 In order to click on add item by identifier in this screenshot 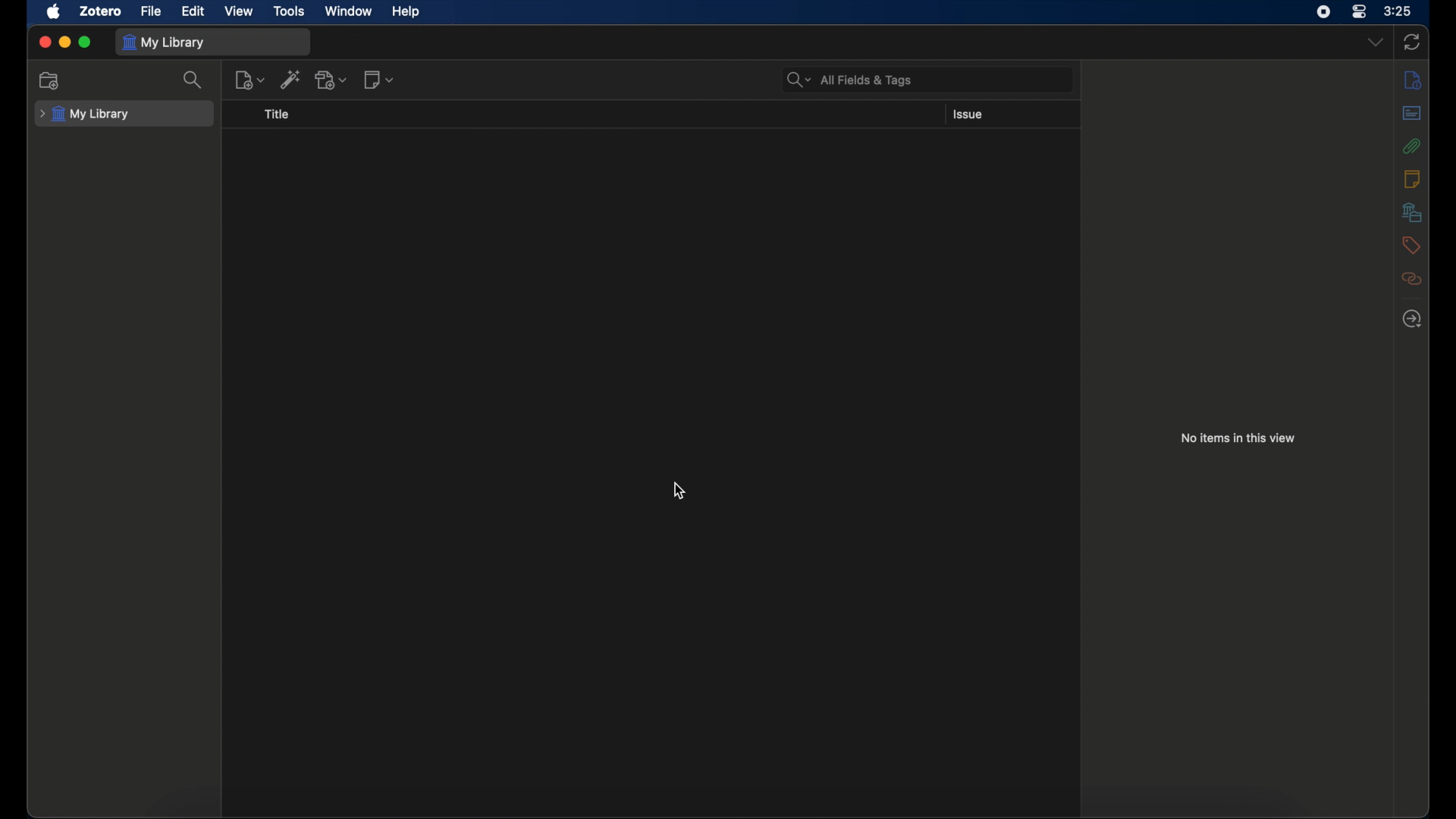, I will do `click(291, 79)`.